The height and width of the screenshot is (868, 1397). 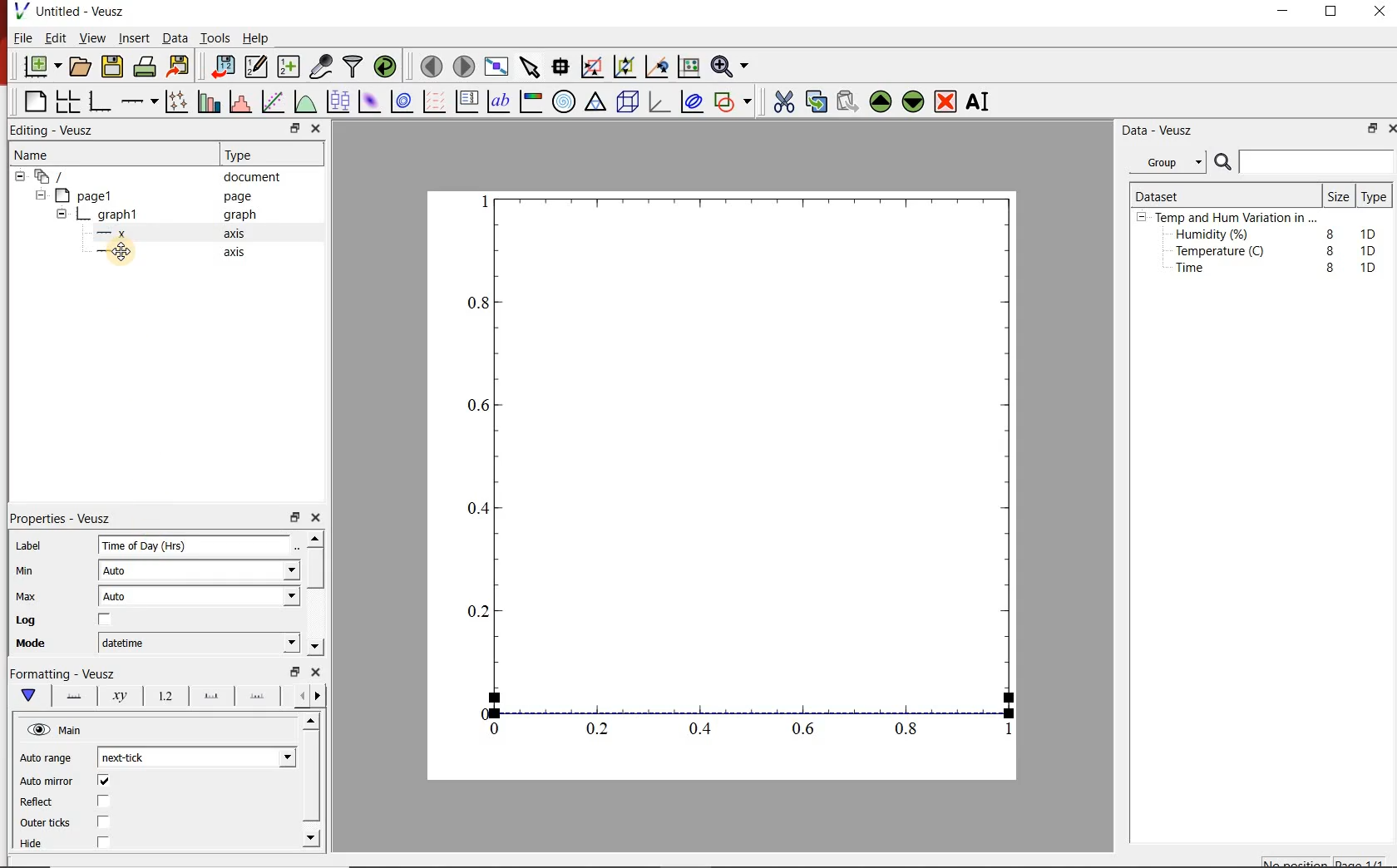 What do you see at coordinates (49, 759) in the screenshot?
I see `Auto range` at bounding box center [49, 759].